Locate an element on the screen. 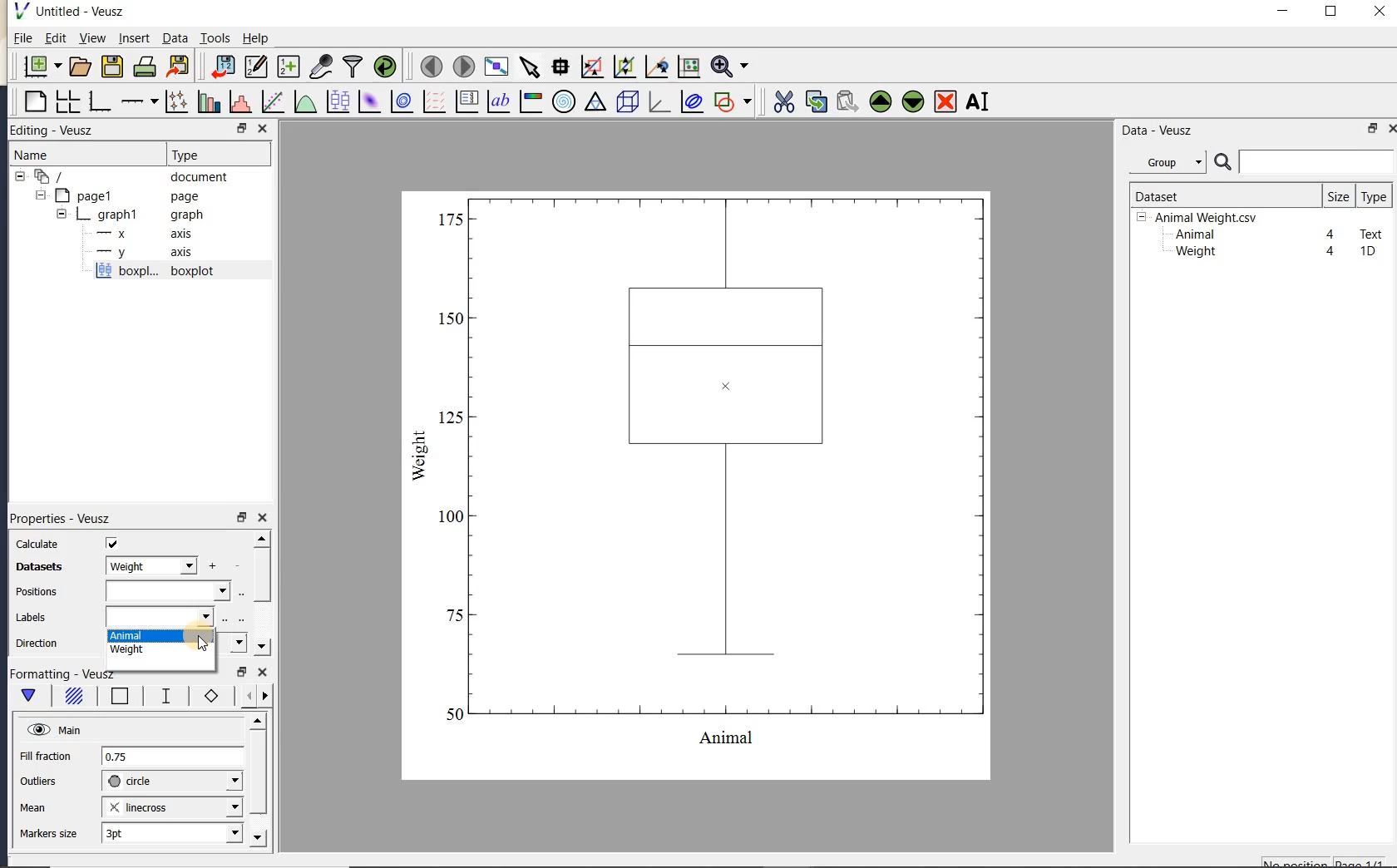 This screenshot has height=868, width=1397. 0.75 is located at coordinates (172, 757).